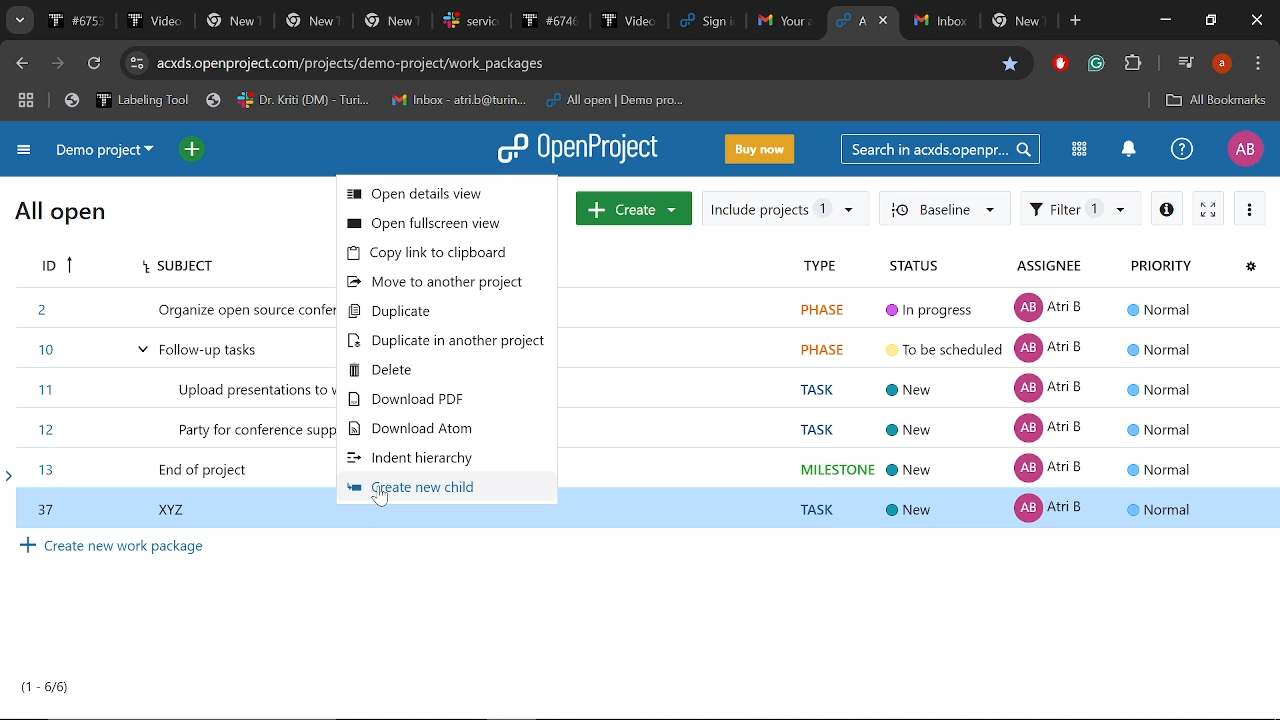  I want to click on Indent hierarchy, so click(430, 459).